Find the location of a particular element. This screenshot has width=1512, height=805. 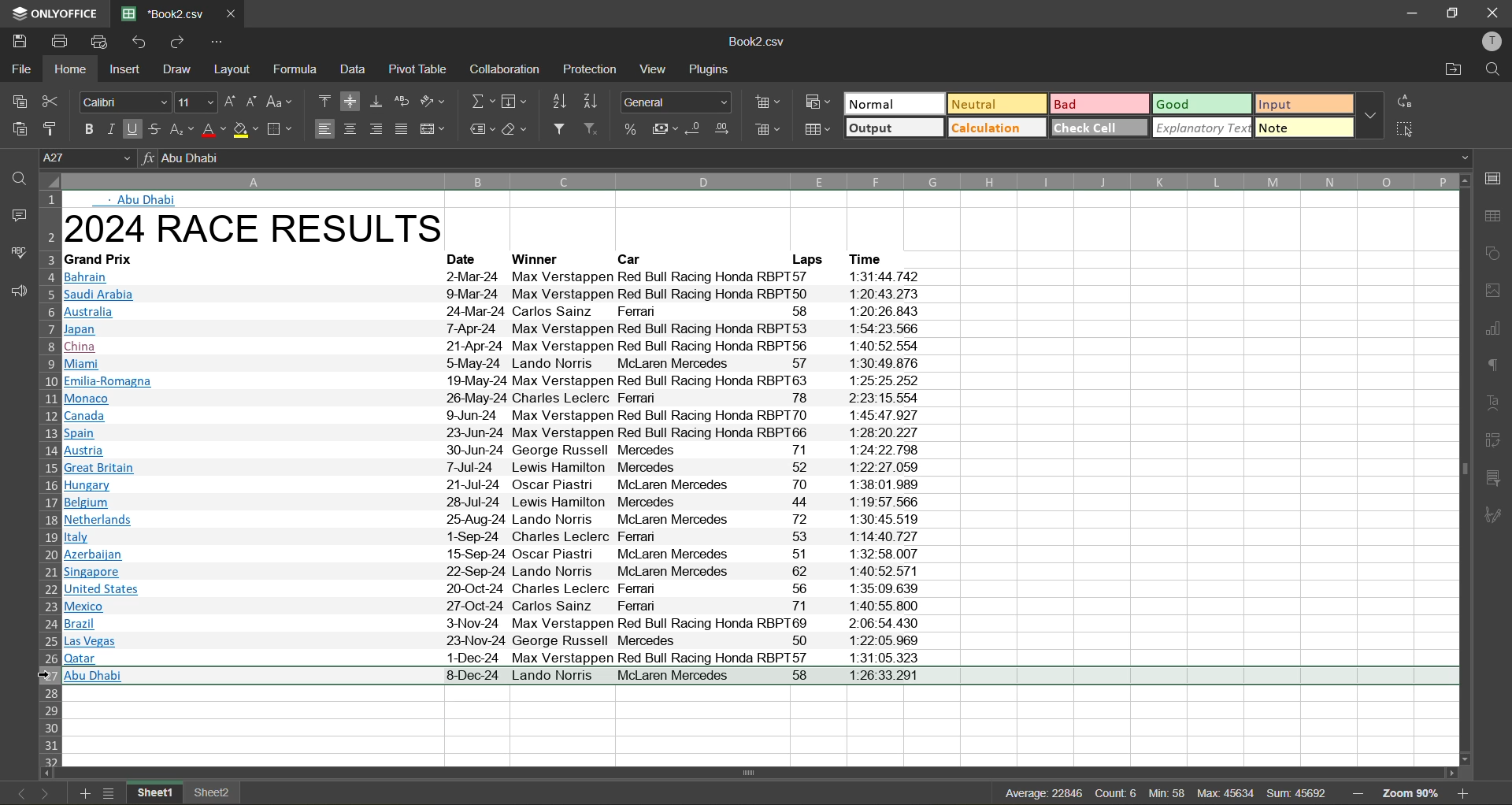

font size is located at coordinates (195, 102).